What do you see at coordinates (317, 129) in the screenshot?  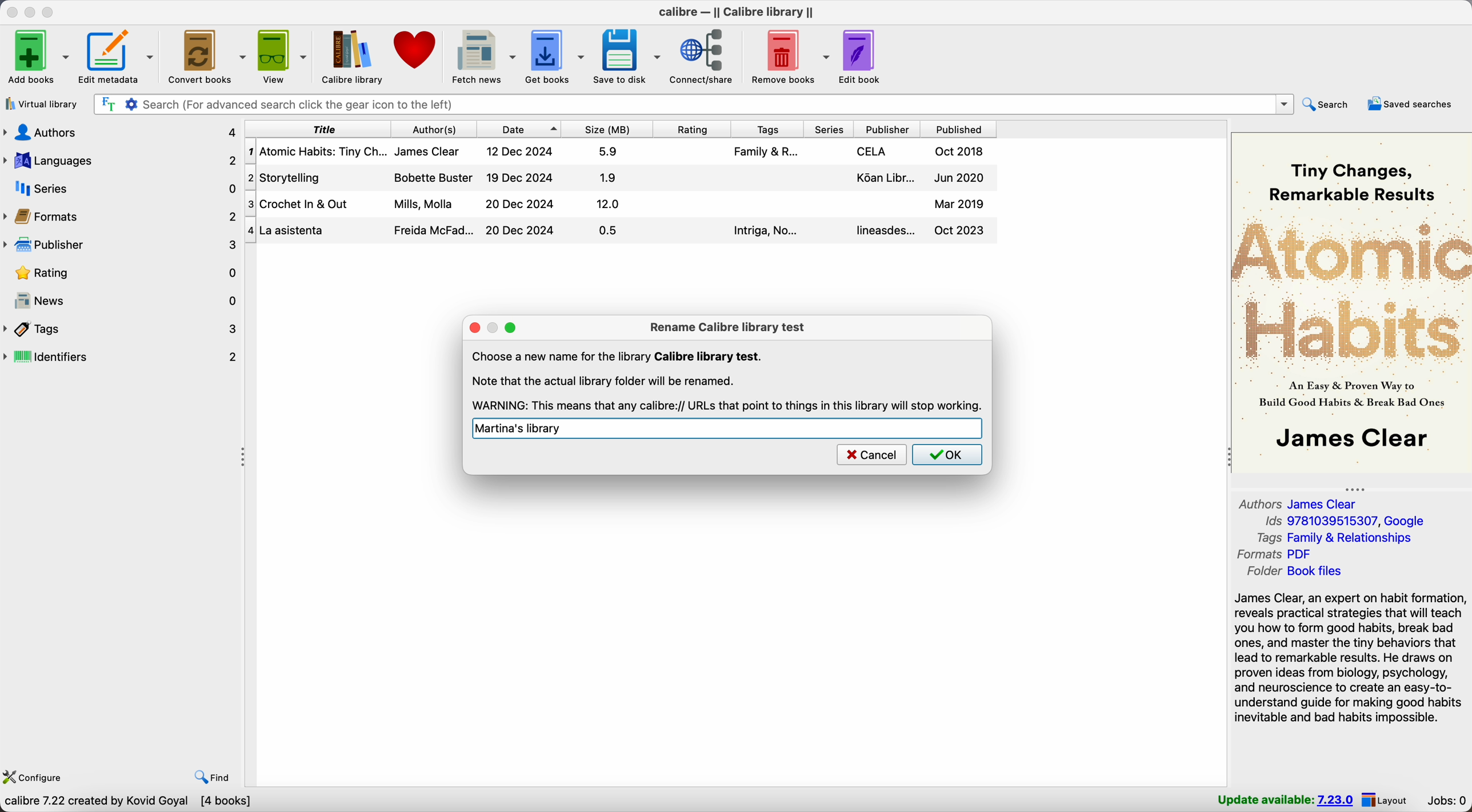 I see `title` at bounding box center [317, 129].